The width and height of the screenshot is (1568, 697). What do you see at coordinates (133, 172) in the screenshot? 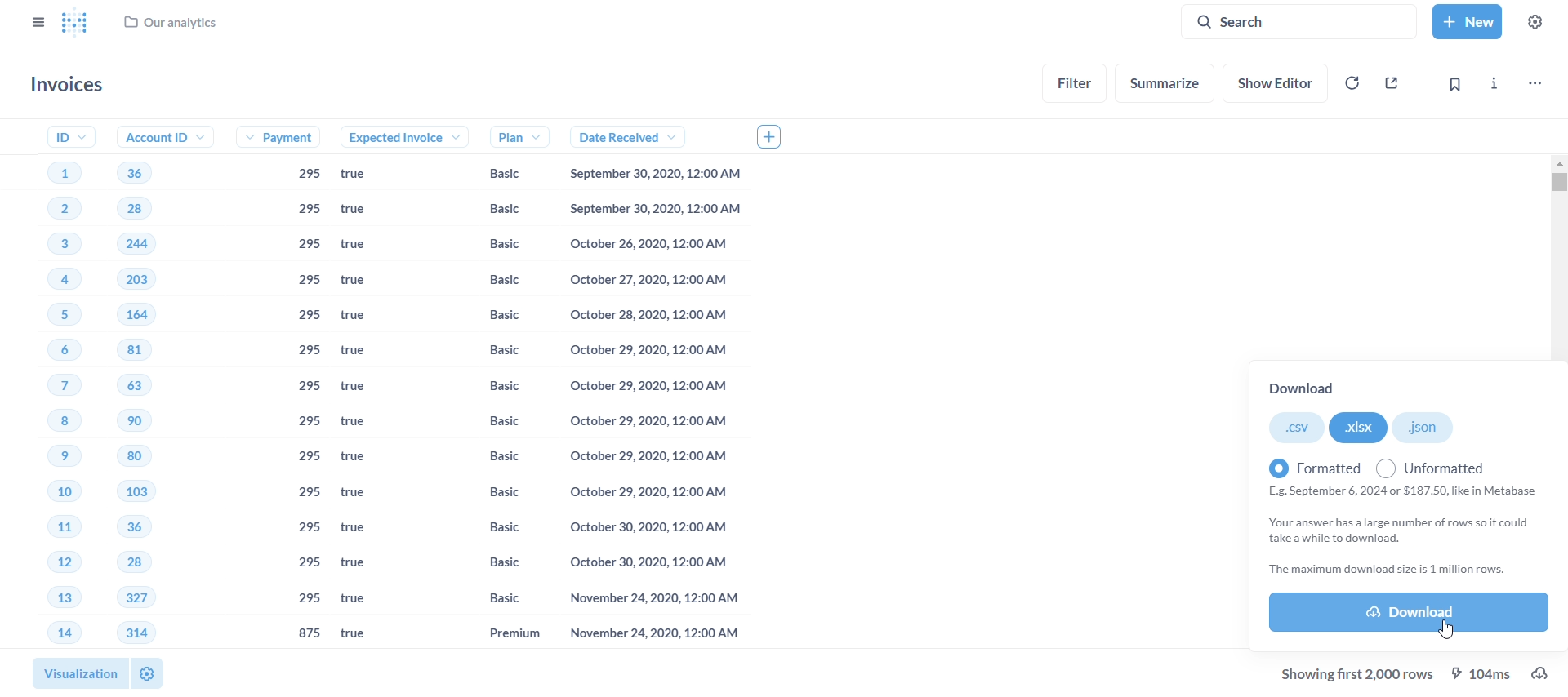
I see `36` at bounding box center [133, 172].